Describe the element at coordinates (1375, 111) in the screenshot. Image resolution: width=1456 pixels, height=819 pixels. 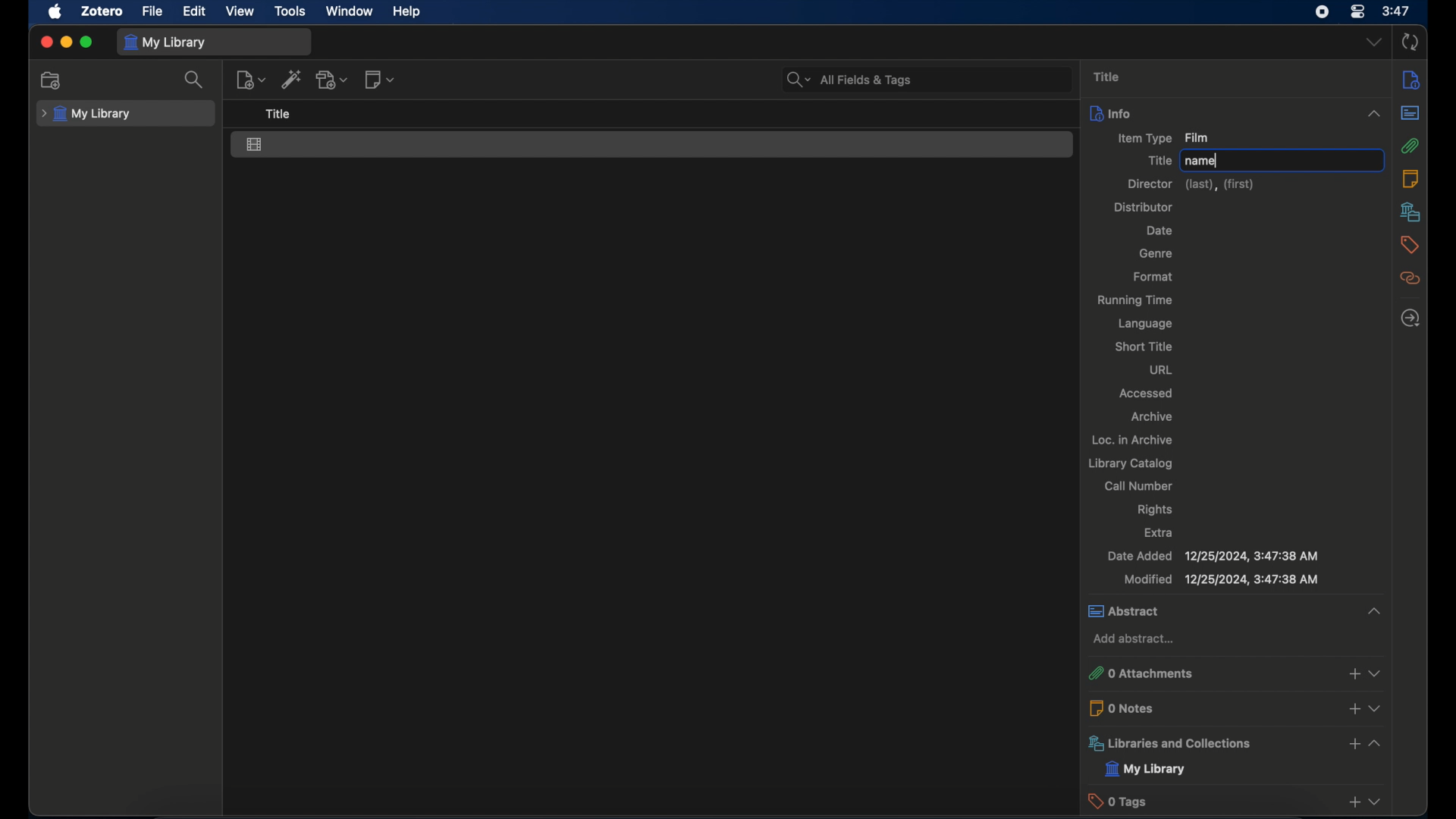
I see `collapse` at that location.